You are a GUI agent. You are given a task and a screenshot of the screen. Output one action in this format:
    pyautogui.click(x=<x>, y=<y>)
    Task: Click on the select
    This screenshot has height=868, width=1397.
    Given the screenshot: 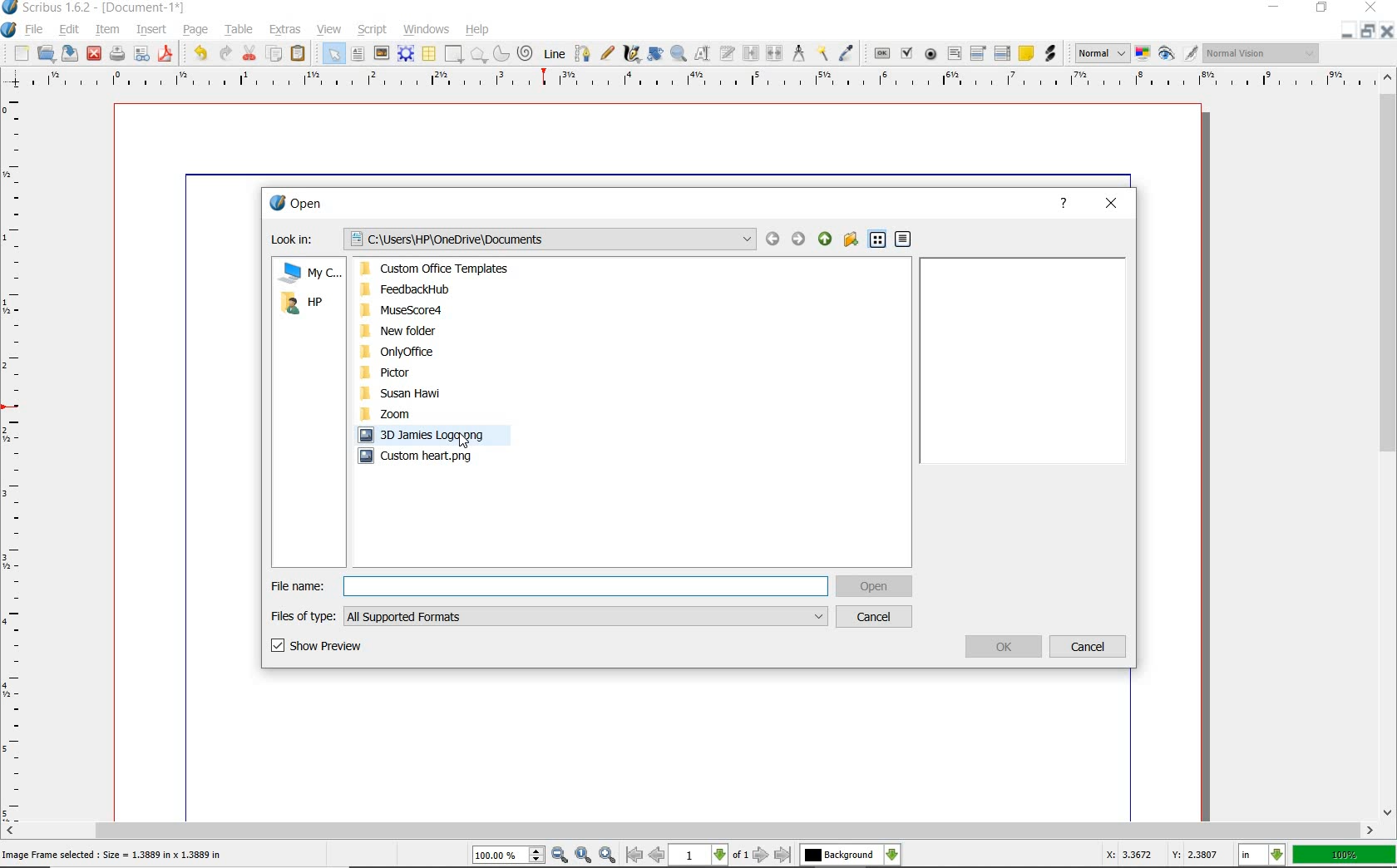 What is the action you would take?
    pyautogui.click(x=333, y=54)
    